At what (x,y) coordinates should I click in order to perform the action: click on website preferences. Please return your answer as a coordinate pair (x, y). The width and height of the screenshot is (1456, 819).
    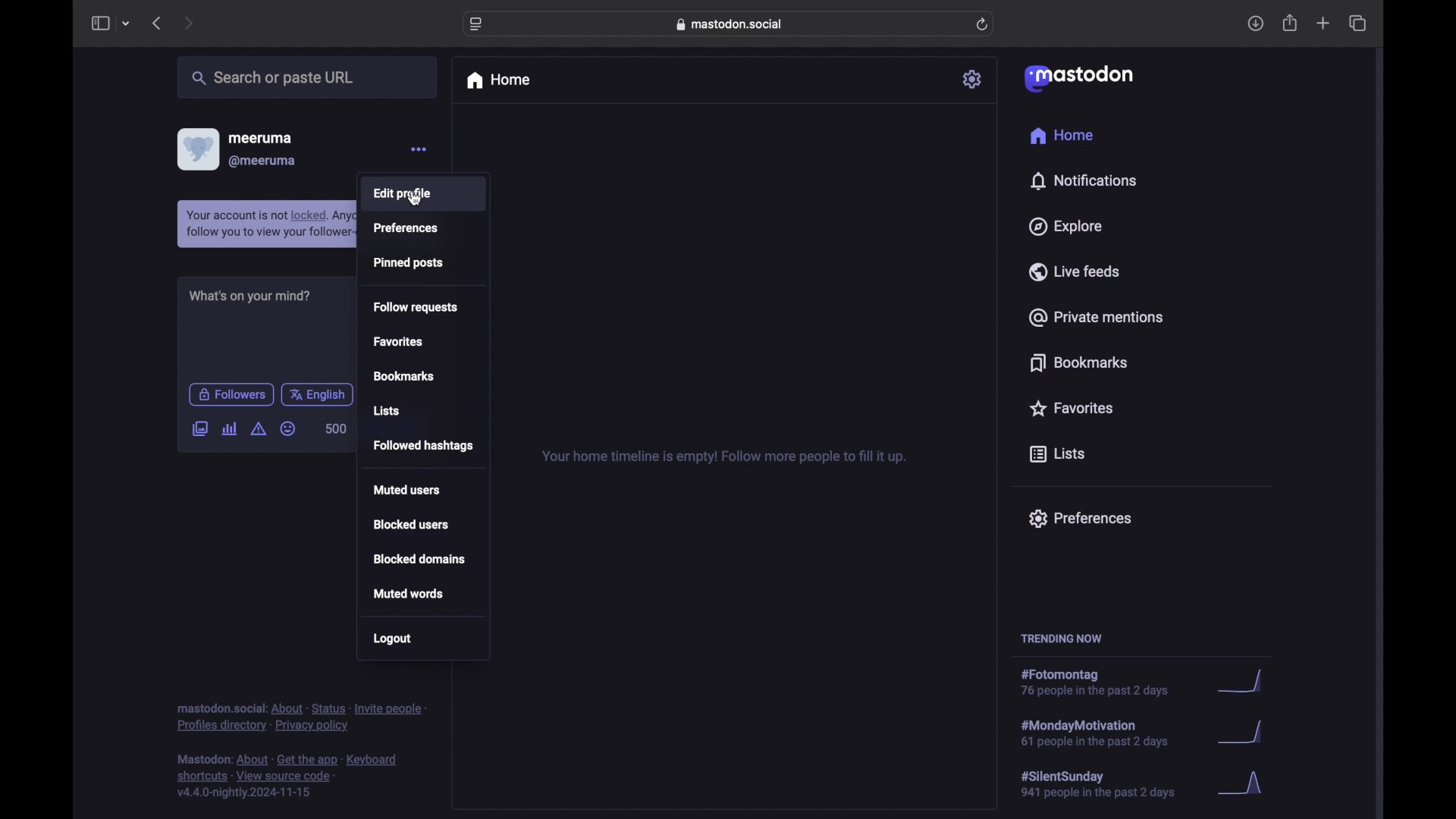
    Looking at the image, I should click on (475, 25).